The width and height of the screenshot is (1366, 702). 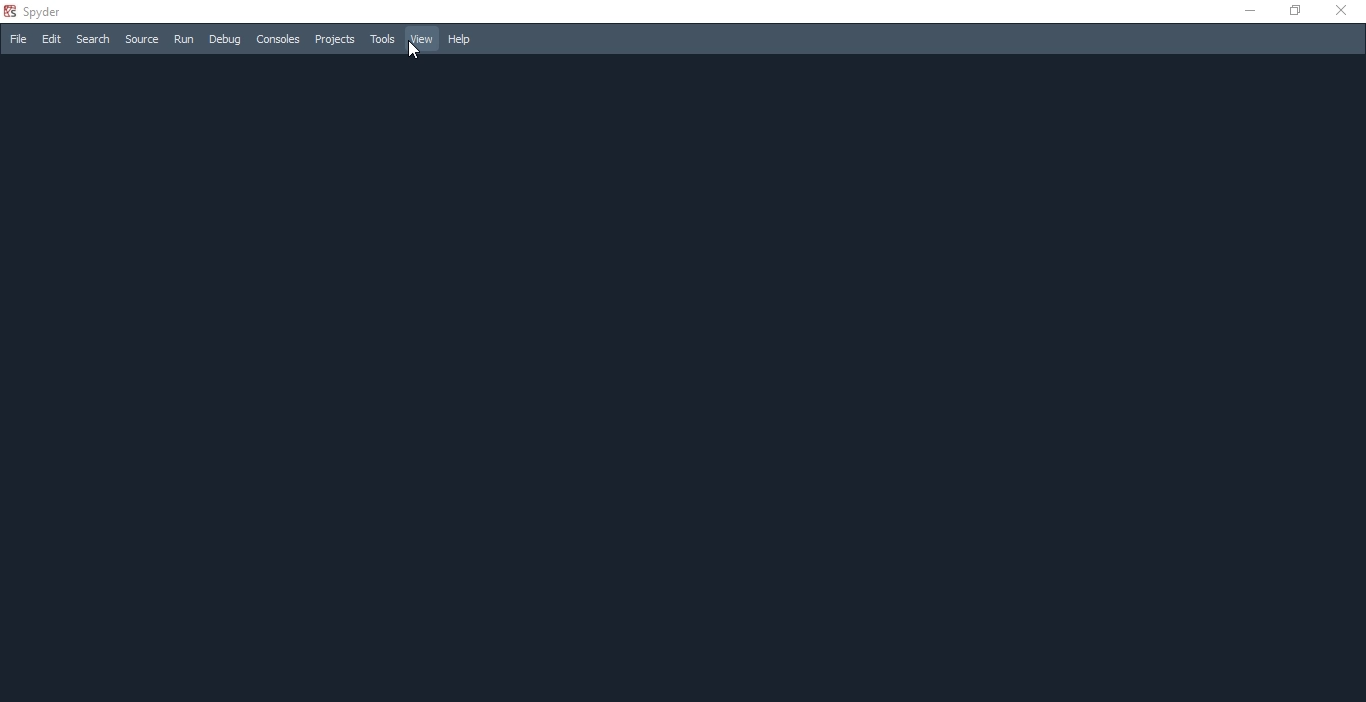 What do you see at coordinates (419, 39) in the screenshot?
I see `View` at bounding box center [419, 39].